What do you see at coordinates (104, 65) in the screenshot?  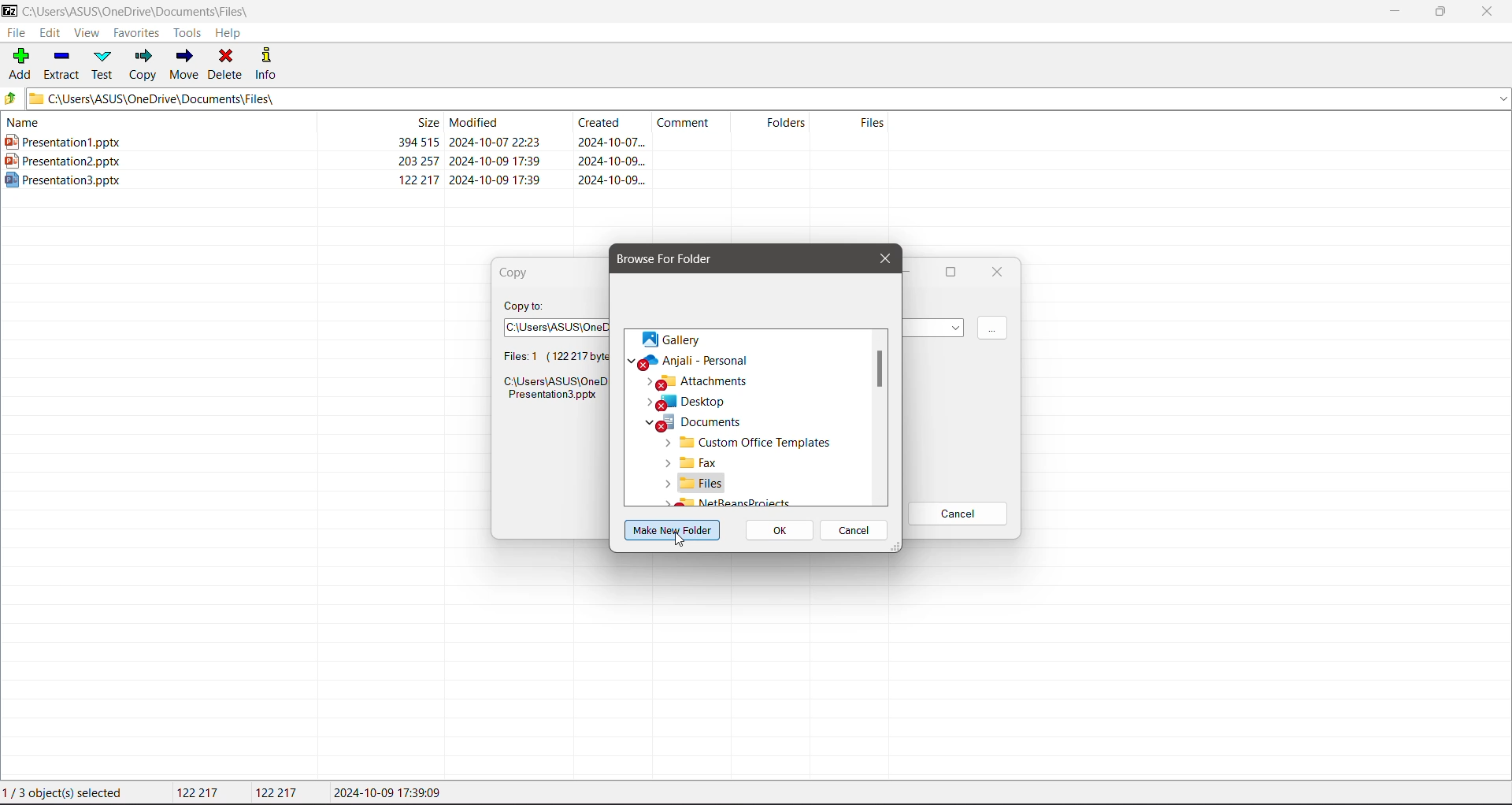 I see `Test` at bounding box center [104, 65].